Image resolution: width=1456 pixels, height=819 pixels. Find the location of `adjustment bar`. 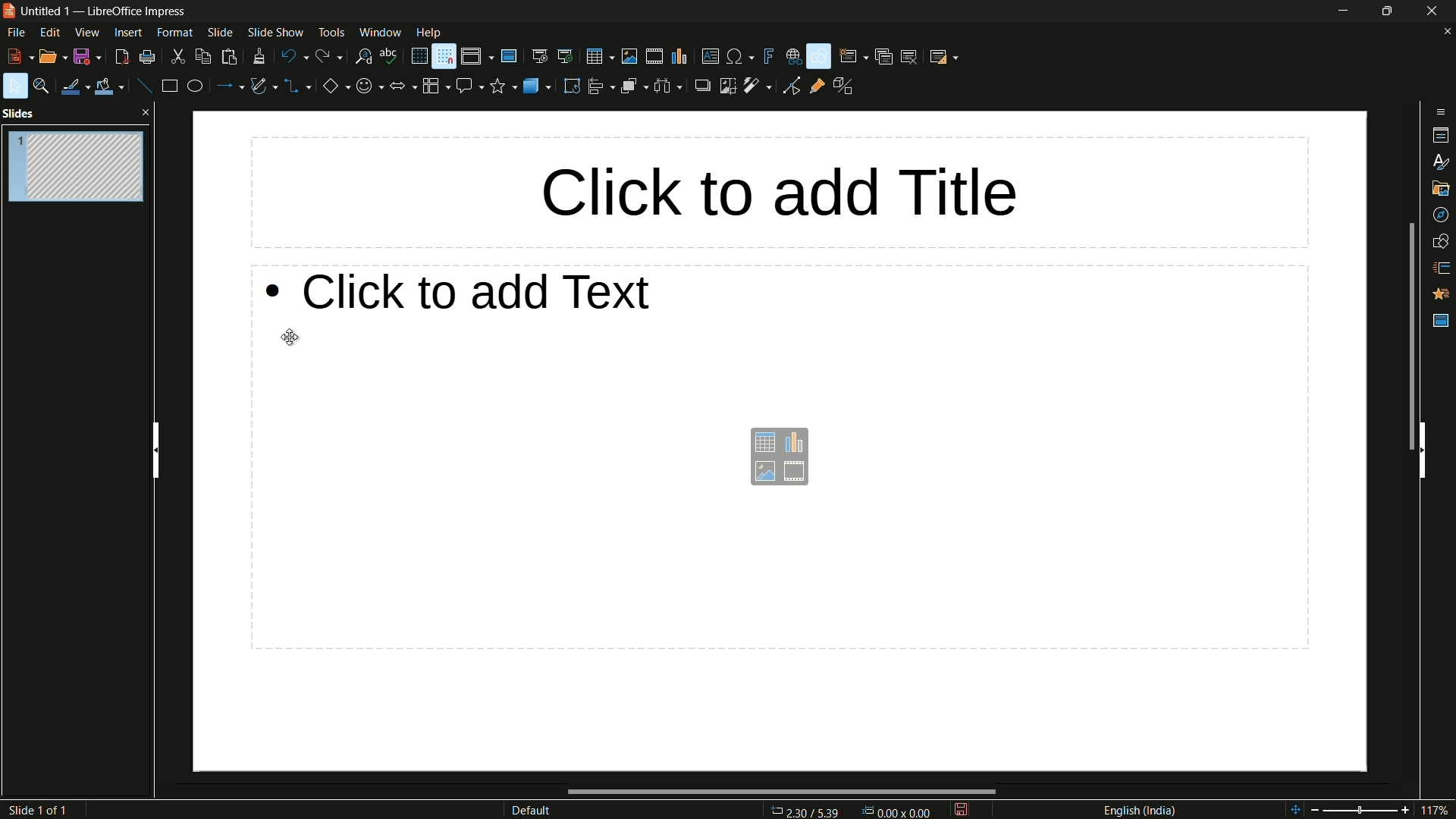

adjustment bar is located at coordinates (1361, 812).